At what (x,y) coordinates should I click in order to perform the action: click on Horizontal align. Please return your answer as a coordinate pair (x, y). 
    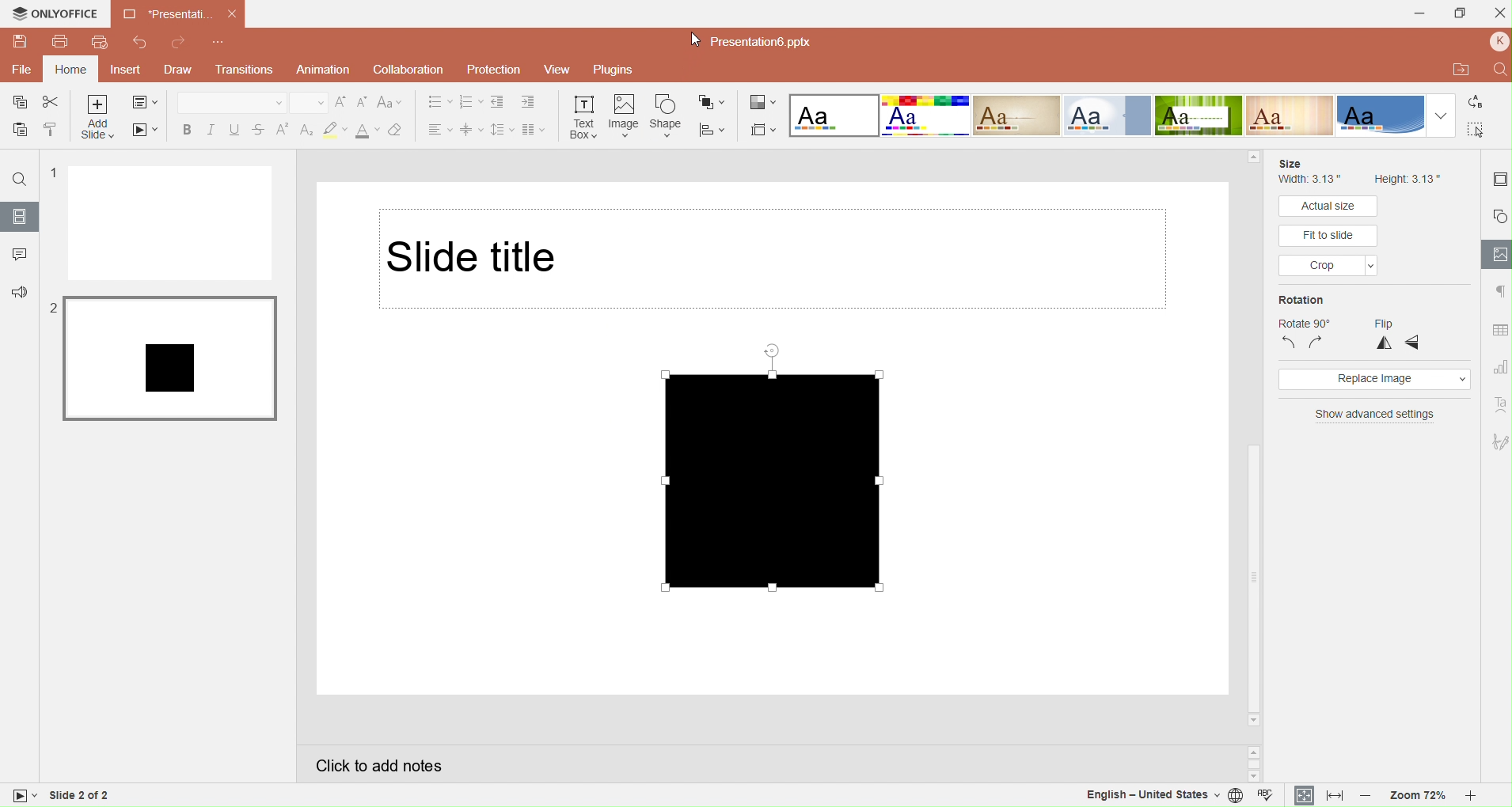
    Looking at the image, I should click on (437, 129).